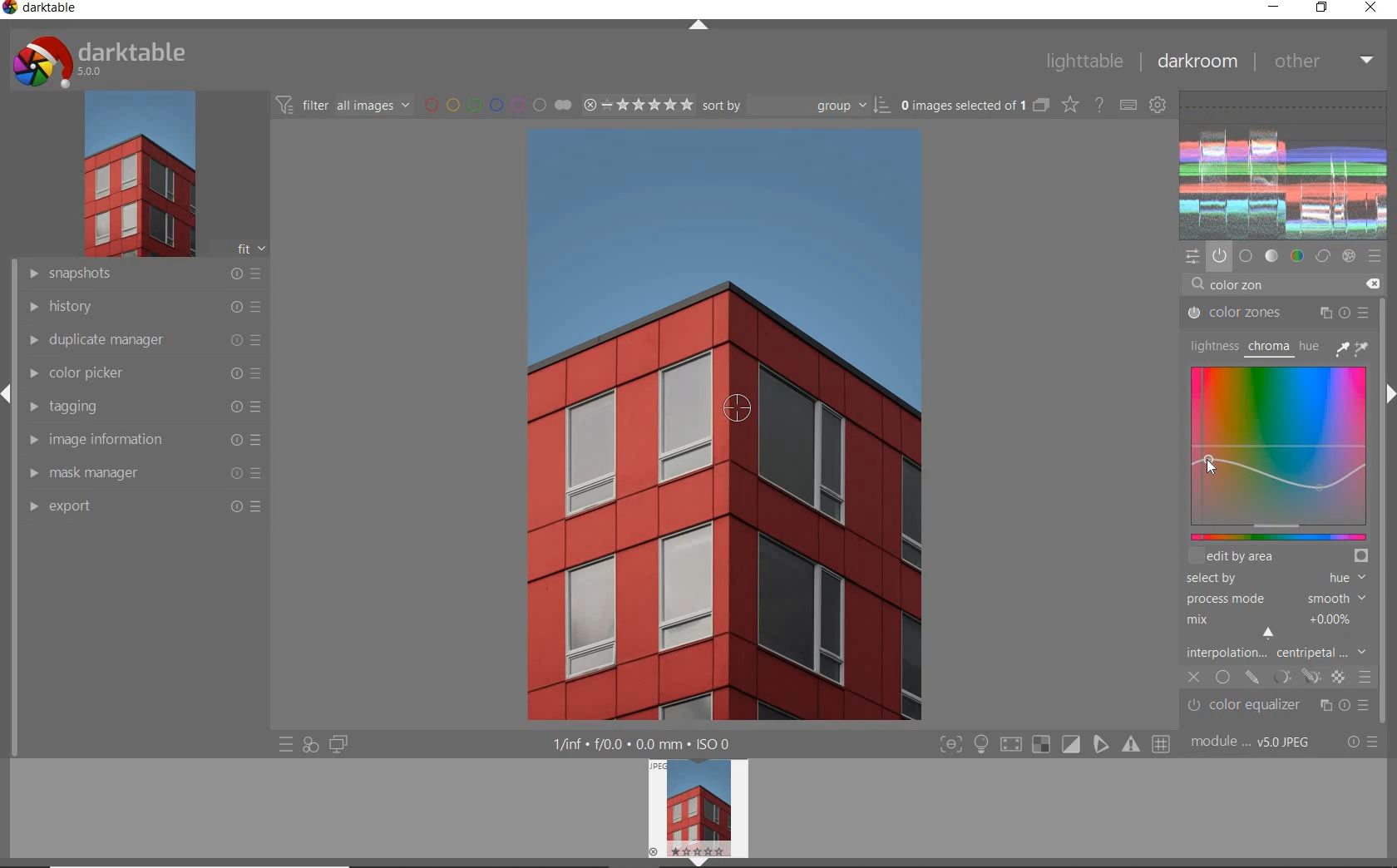 This screenshot has width=1397, height=868. Describe the element at coordinates (983, 747) in the screenshot. I see `highlight` at that location.